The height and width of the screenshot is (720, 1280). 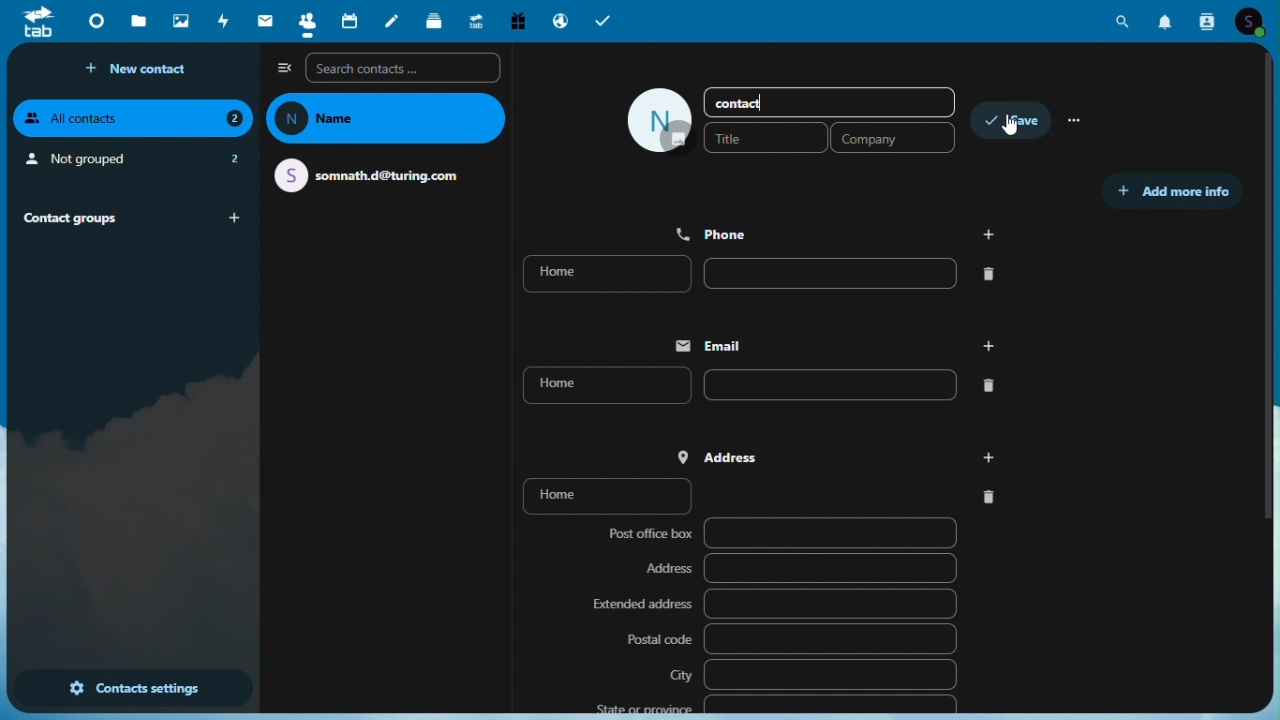 What do you see at coordinates (1210, 22) in the screenshot?
I see `Contacts` at bounding box center [1210, 22].